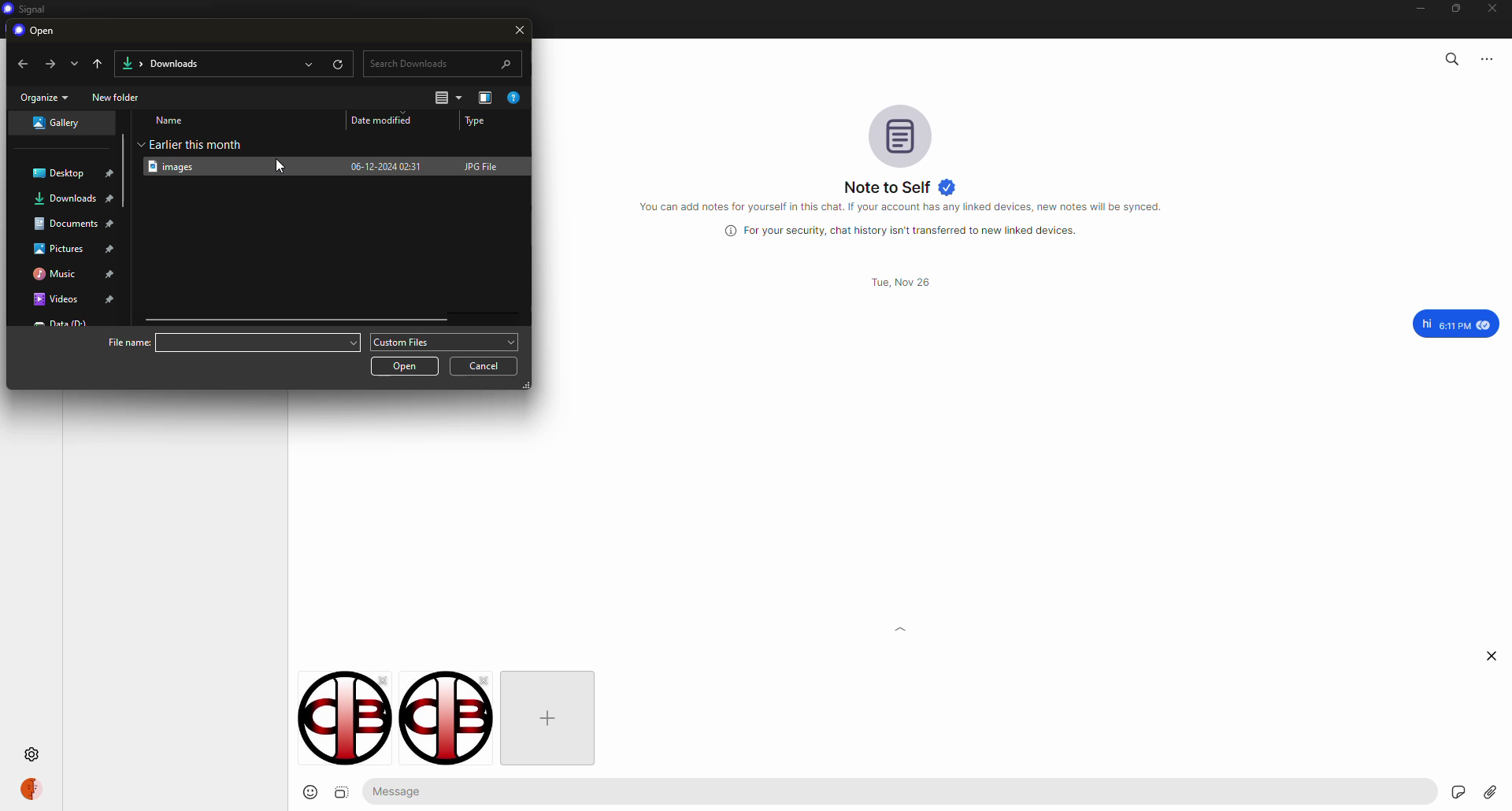  I want to click on date, so click(388, 120).